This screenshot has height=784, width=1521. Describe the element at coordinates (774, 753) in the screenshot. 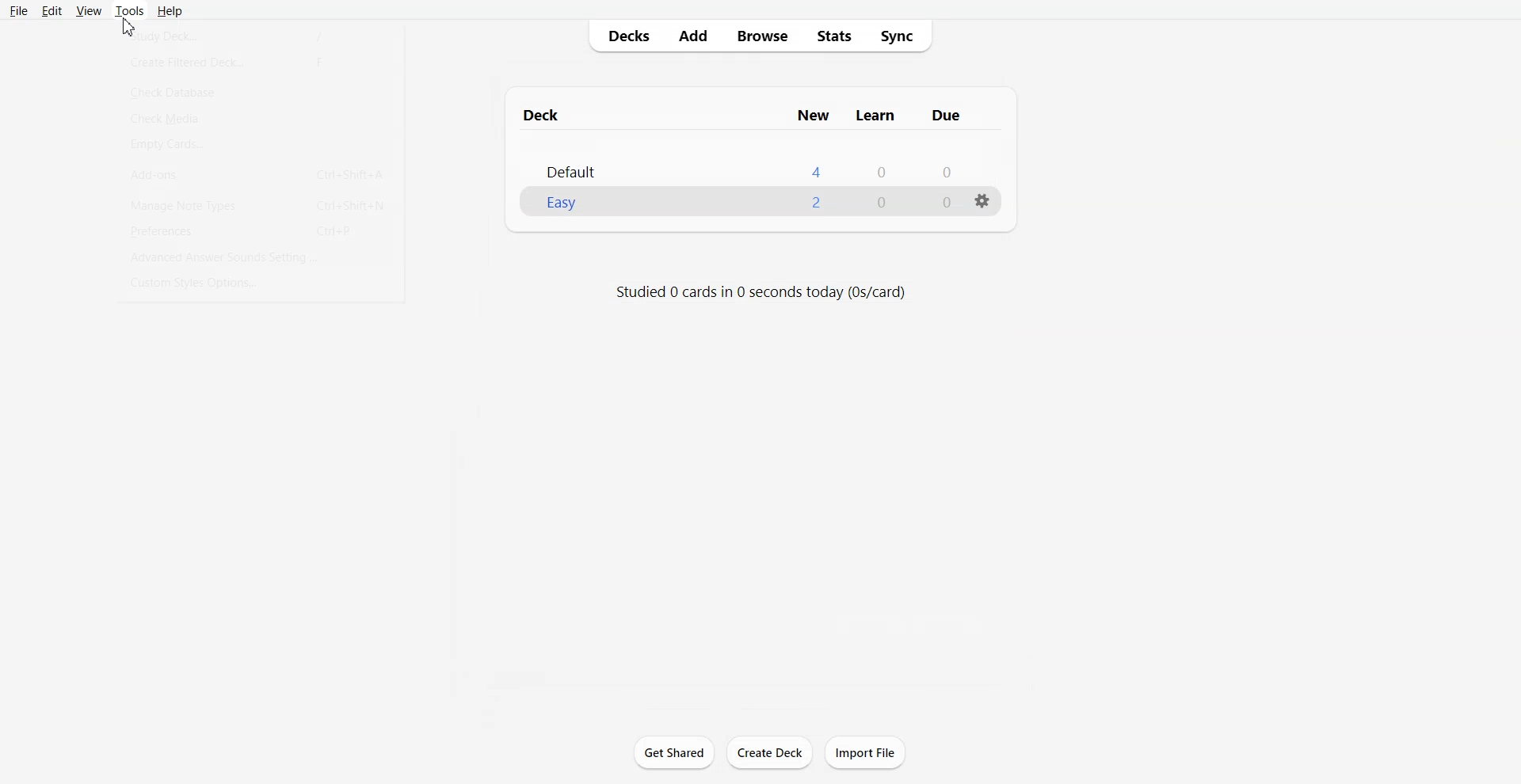

I see `create deck` at that location.